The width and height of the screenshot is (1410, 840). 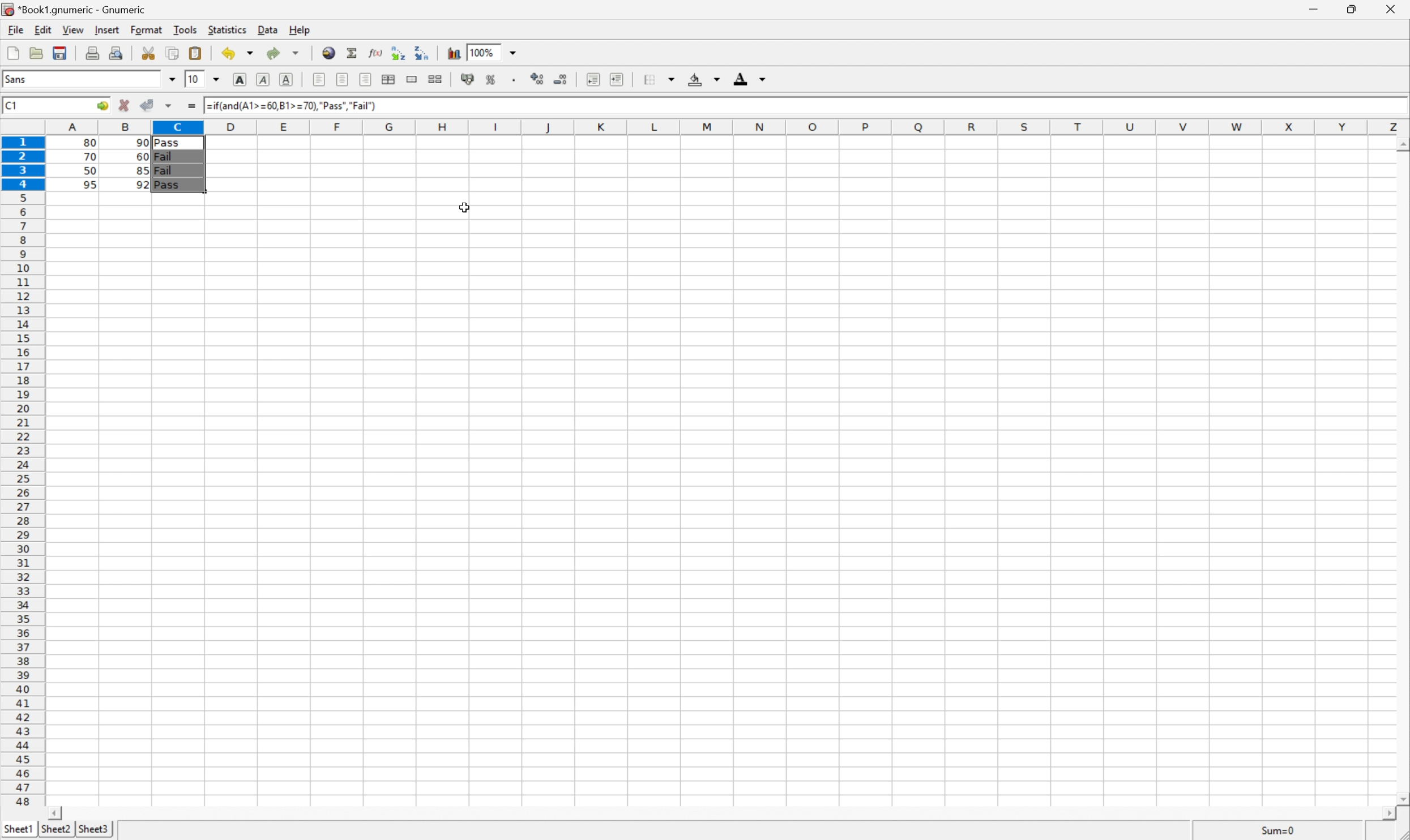 What do you see at coordinates (451, 53) in the screenshot?
I see `Chart` at bounding box center [451, 53].